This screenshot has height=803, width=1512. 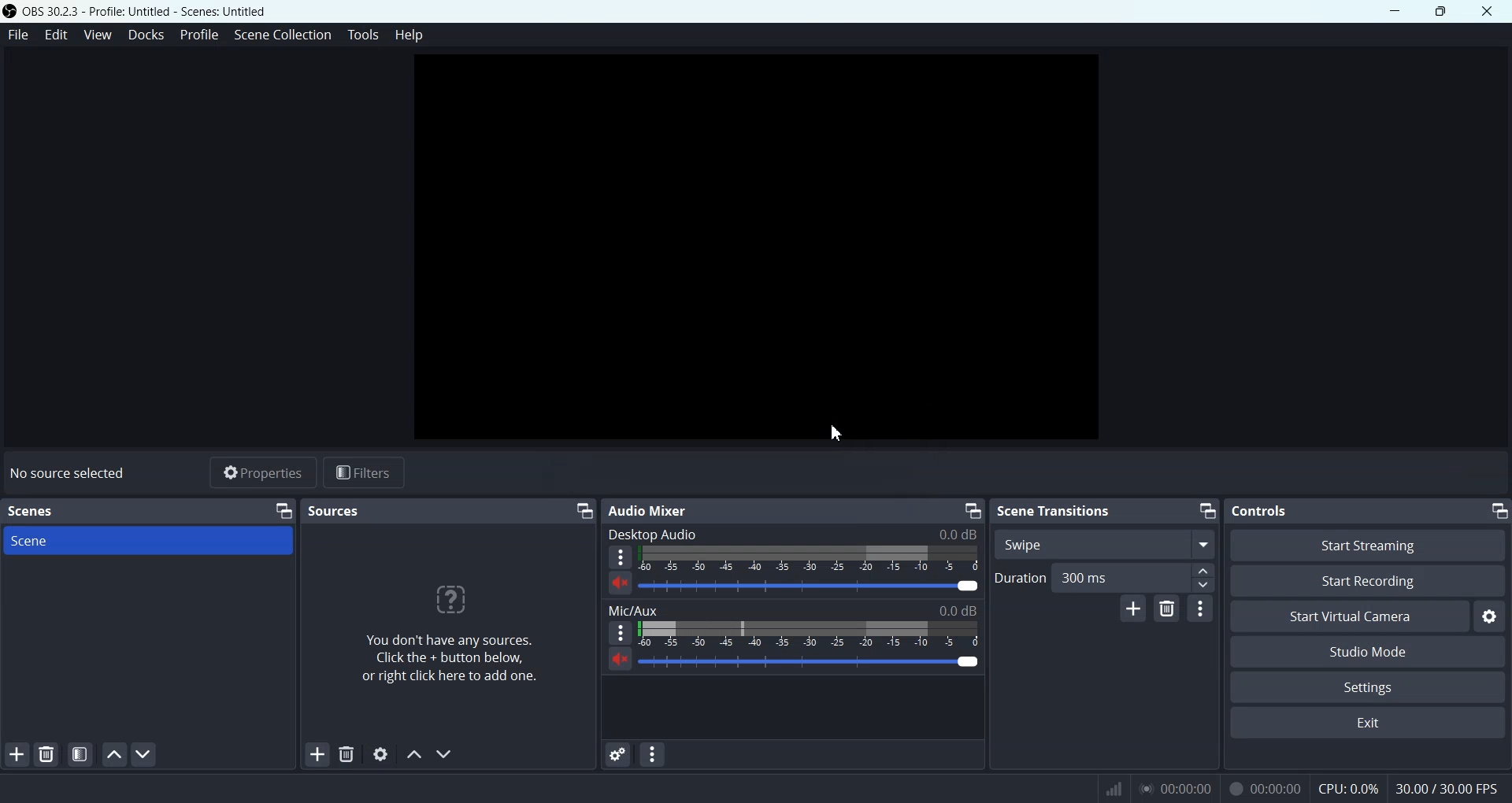 What do you see at coordinates (1020, 576) in the screenshot?
I see `Duration` at bounding box center [1020, 576].